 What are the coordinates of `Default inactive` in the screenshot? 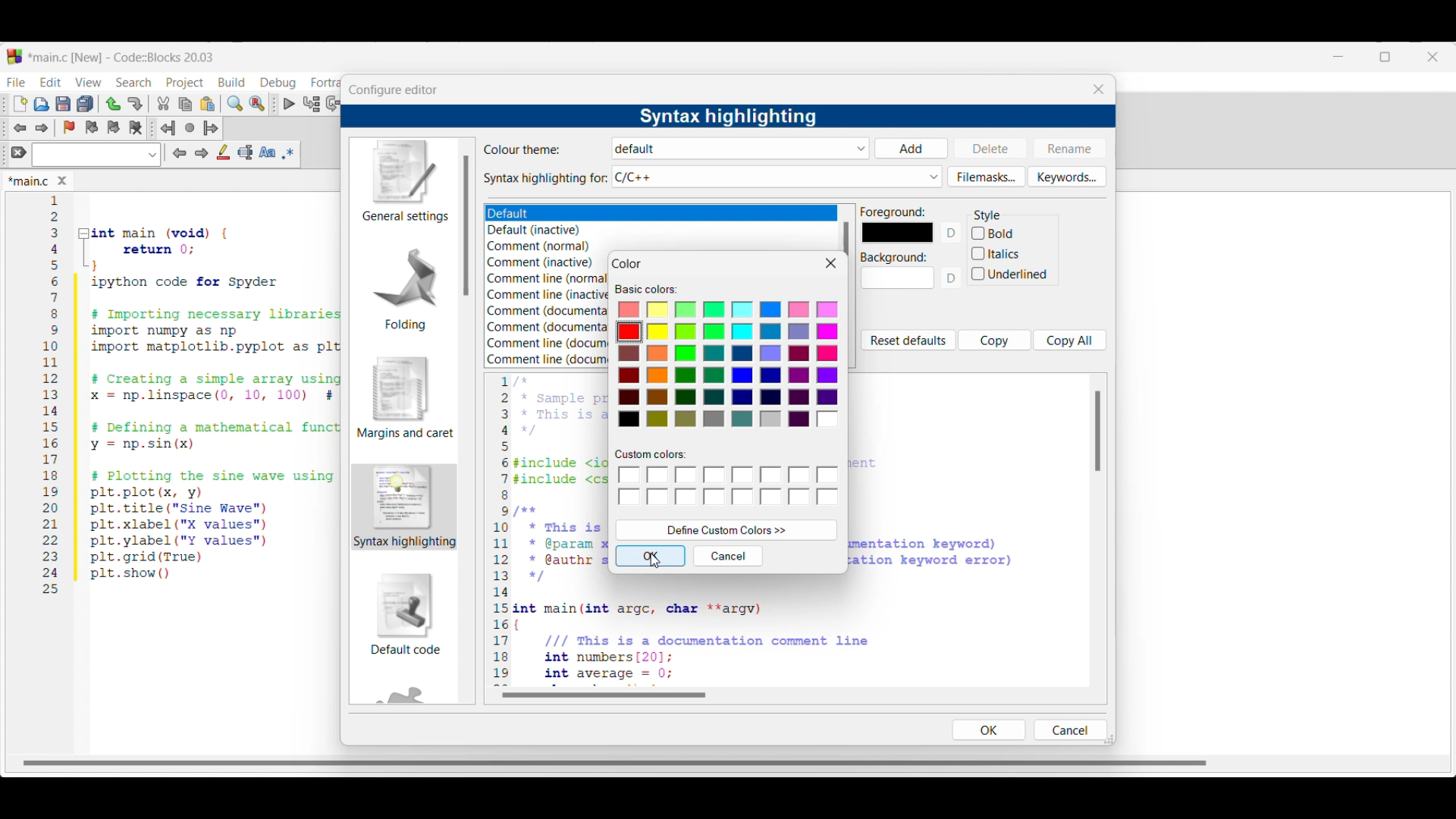 It's located at (543, 231).